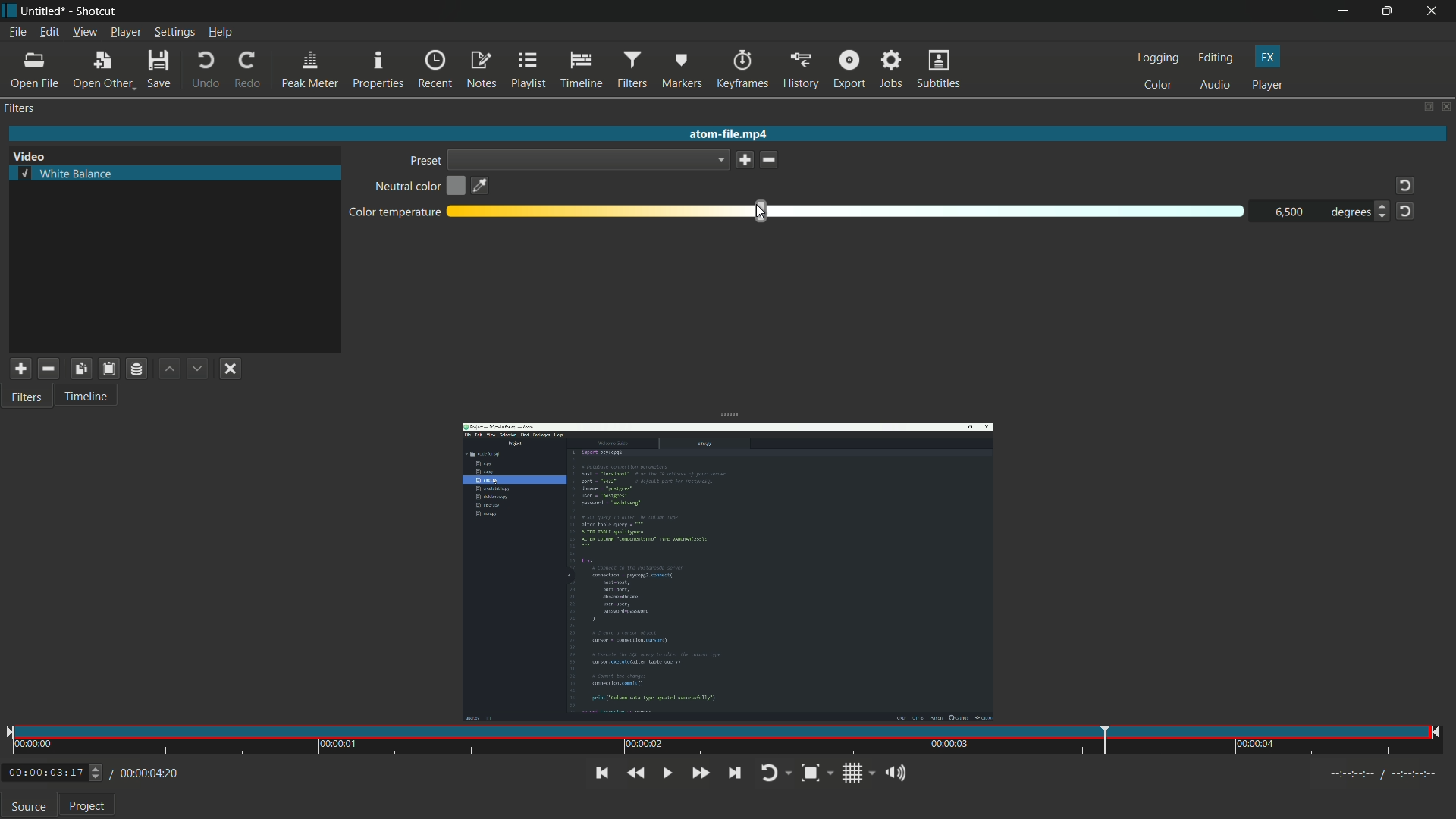  I want to click on close app, so click(1435, 11).